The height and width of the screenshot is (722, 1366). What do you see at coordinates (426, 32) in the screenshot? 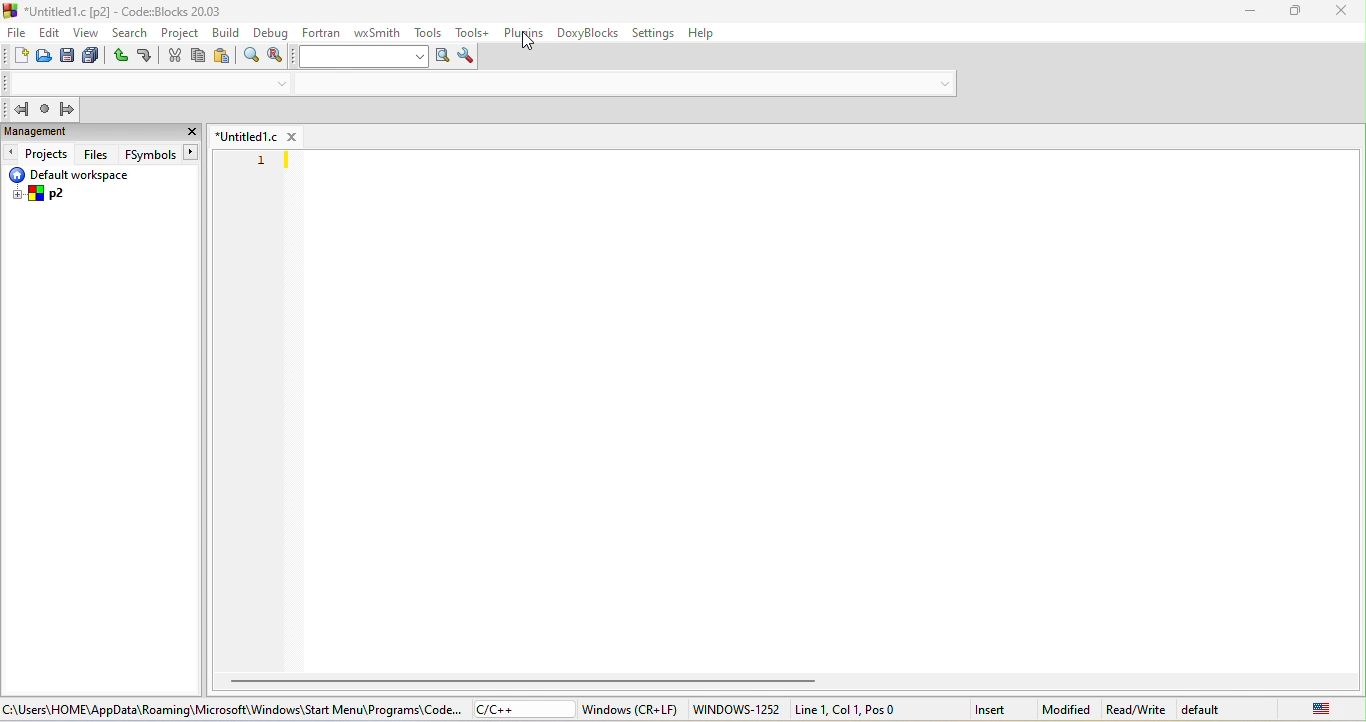
I see `tools` at bounding box center [426, 32].